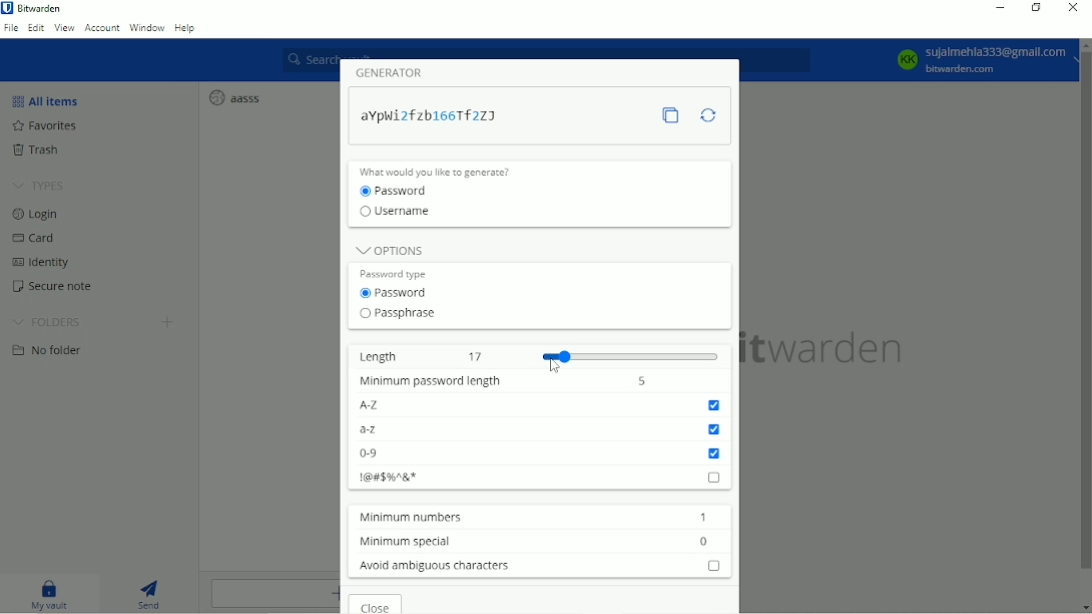 The image size is (1092, 614). Describe the element at coordinates (978, 61) in the screenshot. I see `Account` at that location.